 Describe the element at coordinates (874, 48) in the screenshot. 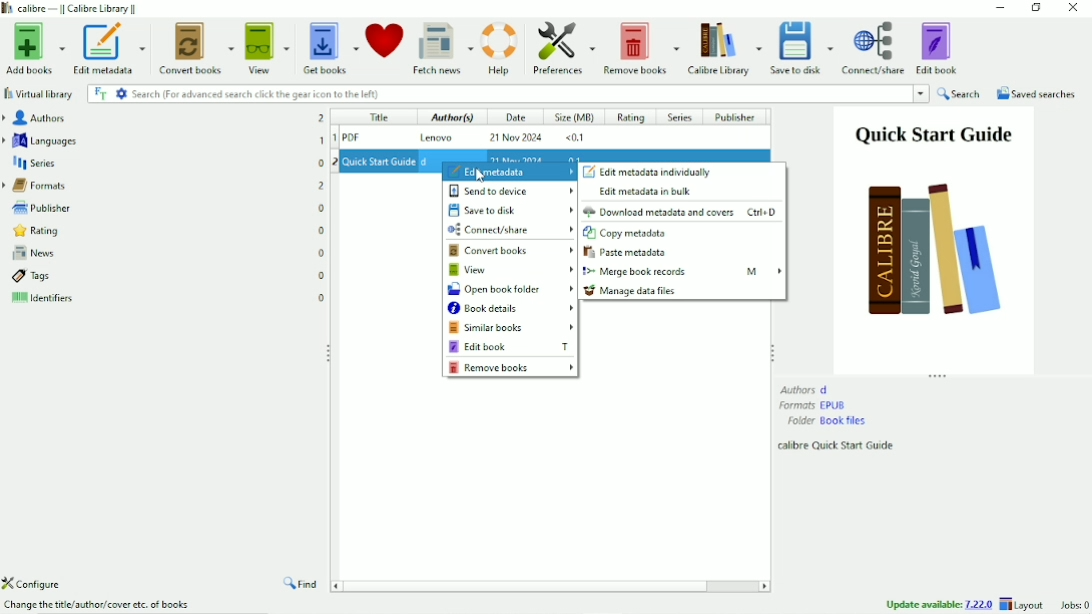

I see `Connect/share` at that location.